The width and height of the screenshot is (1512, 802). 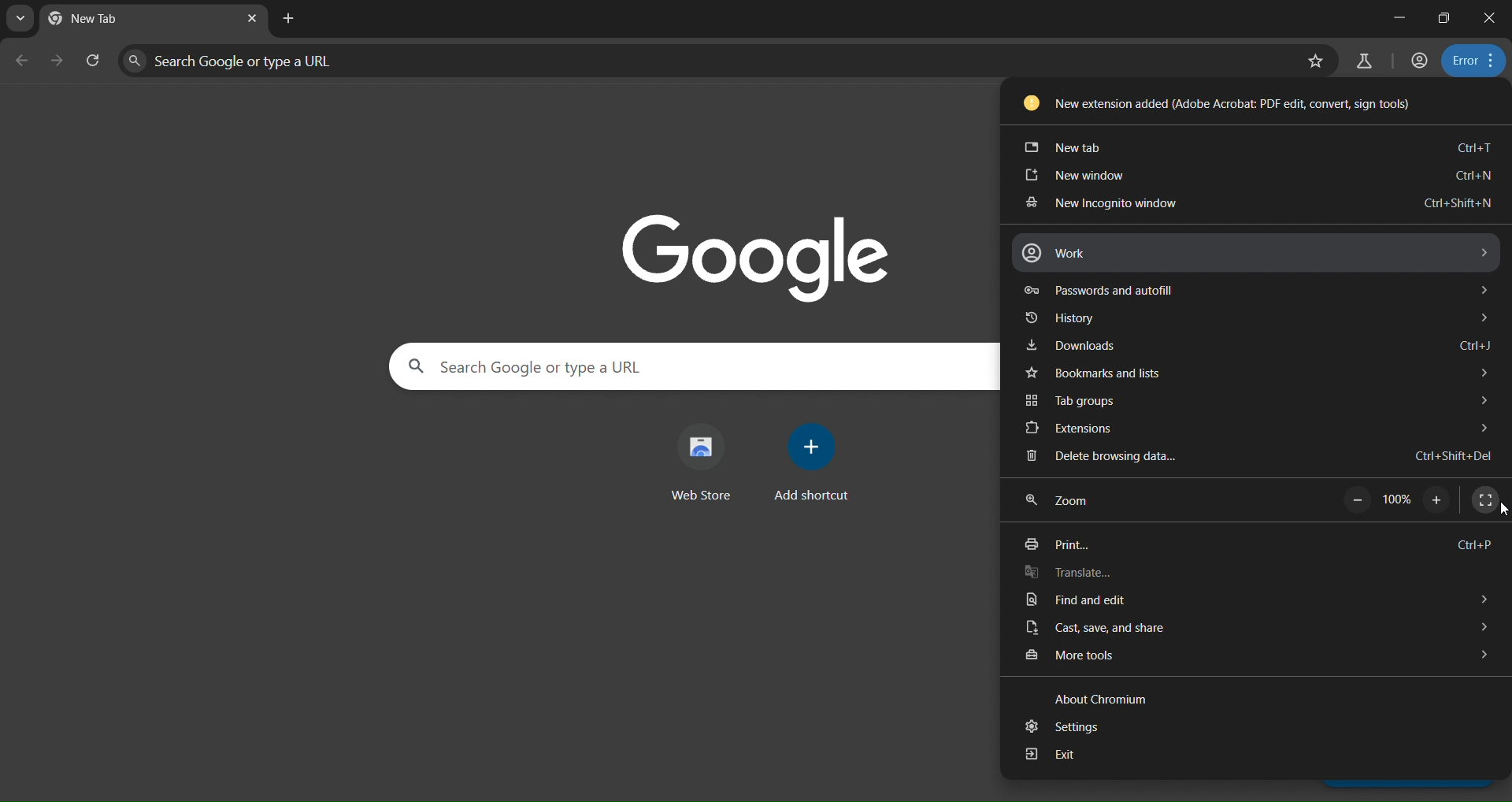 What do you see at coordinates (707, 460) in the screenshot?
I see `webstore` at bounding box center [707, 460].